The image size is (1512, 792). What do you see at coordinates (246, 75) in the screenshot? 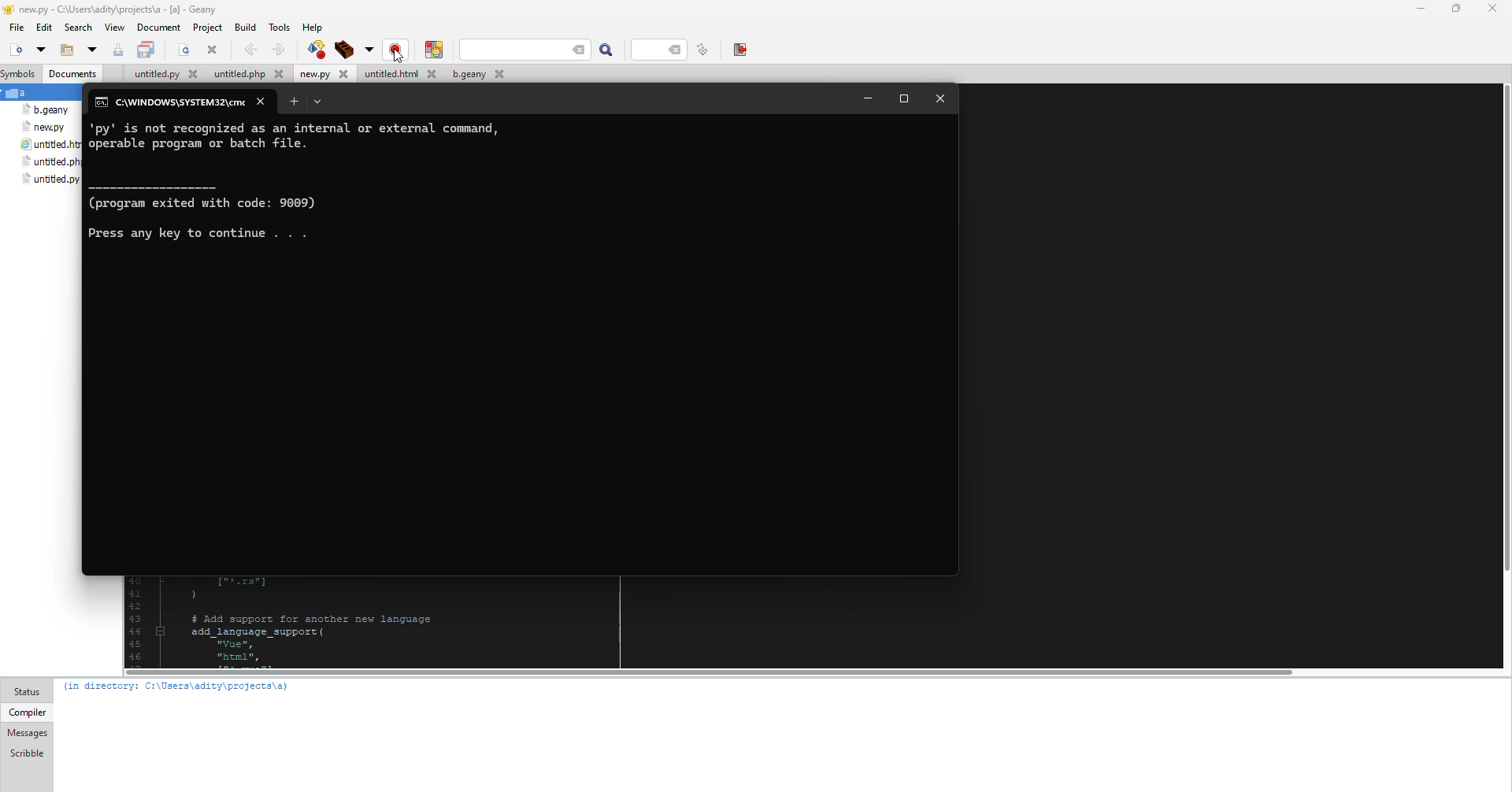
I see `file` at bounding box center [246, 75].